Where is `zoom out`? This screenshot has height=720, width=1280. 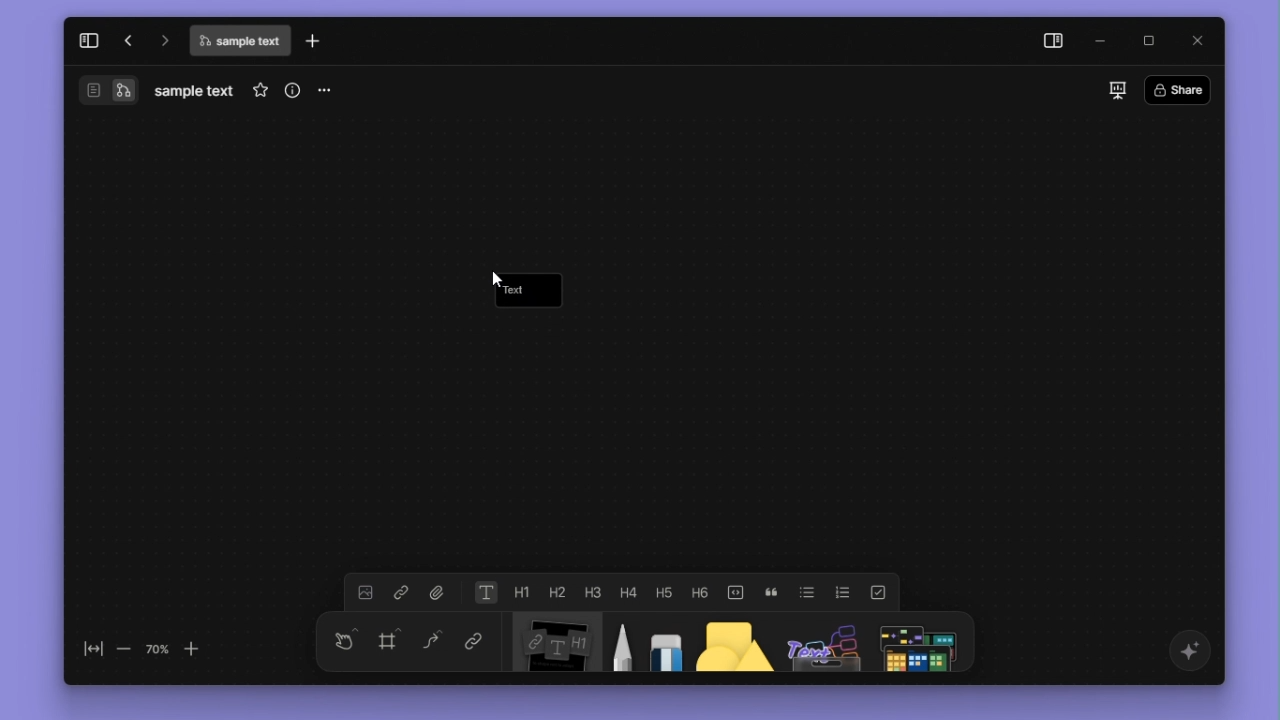 zoom out is located at coordinates (124, 650).